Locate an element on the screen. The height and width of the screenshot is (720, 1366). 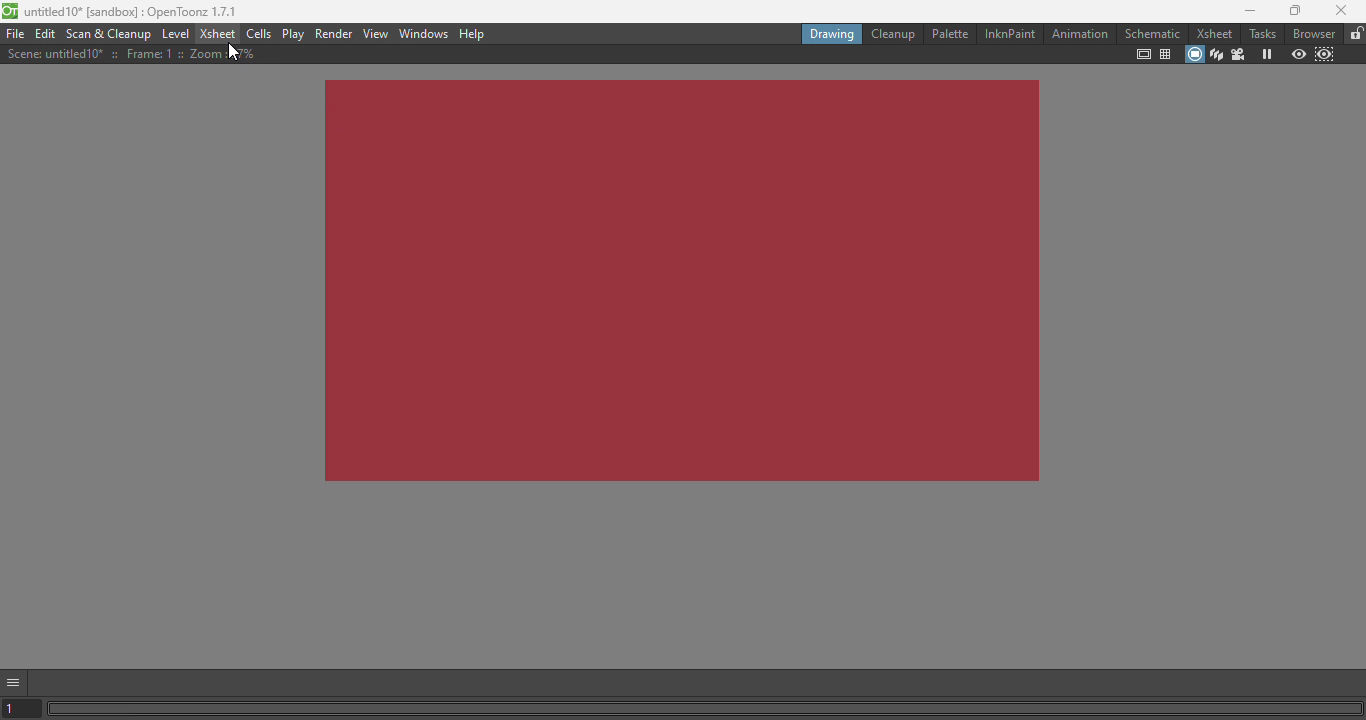
Scan & Cleanup is located at coordinates (111, 33).